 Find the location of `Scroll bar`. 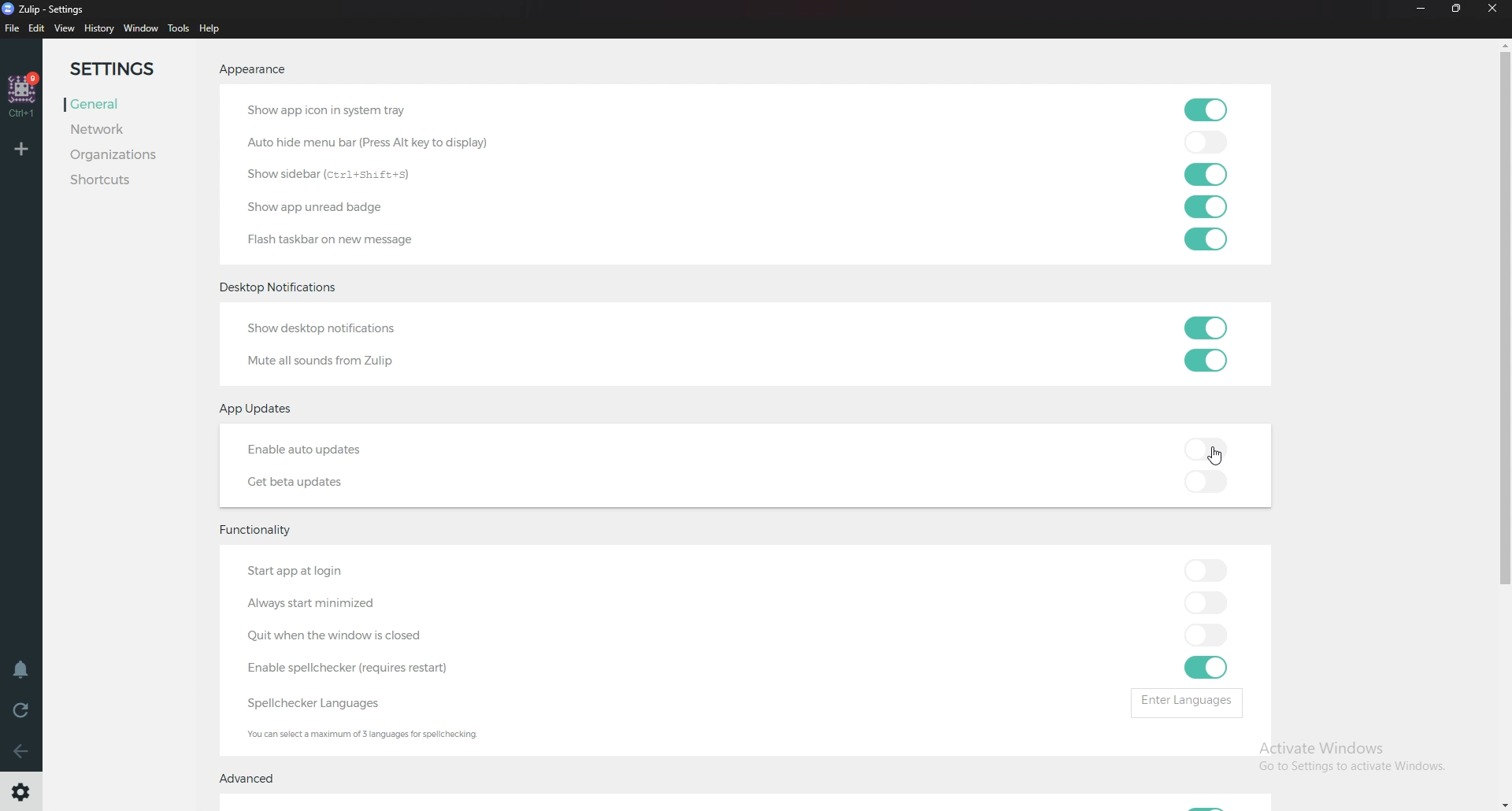

Scroll bar is located at coordinates (1502, 326).